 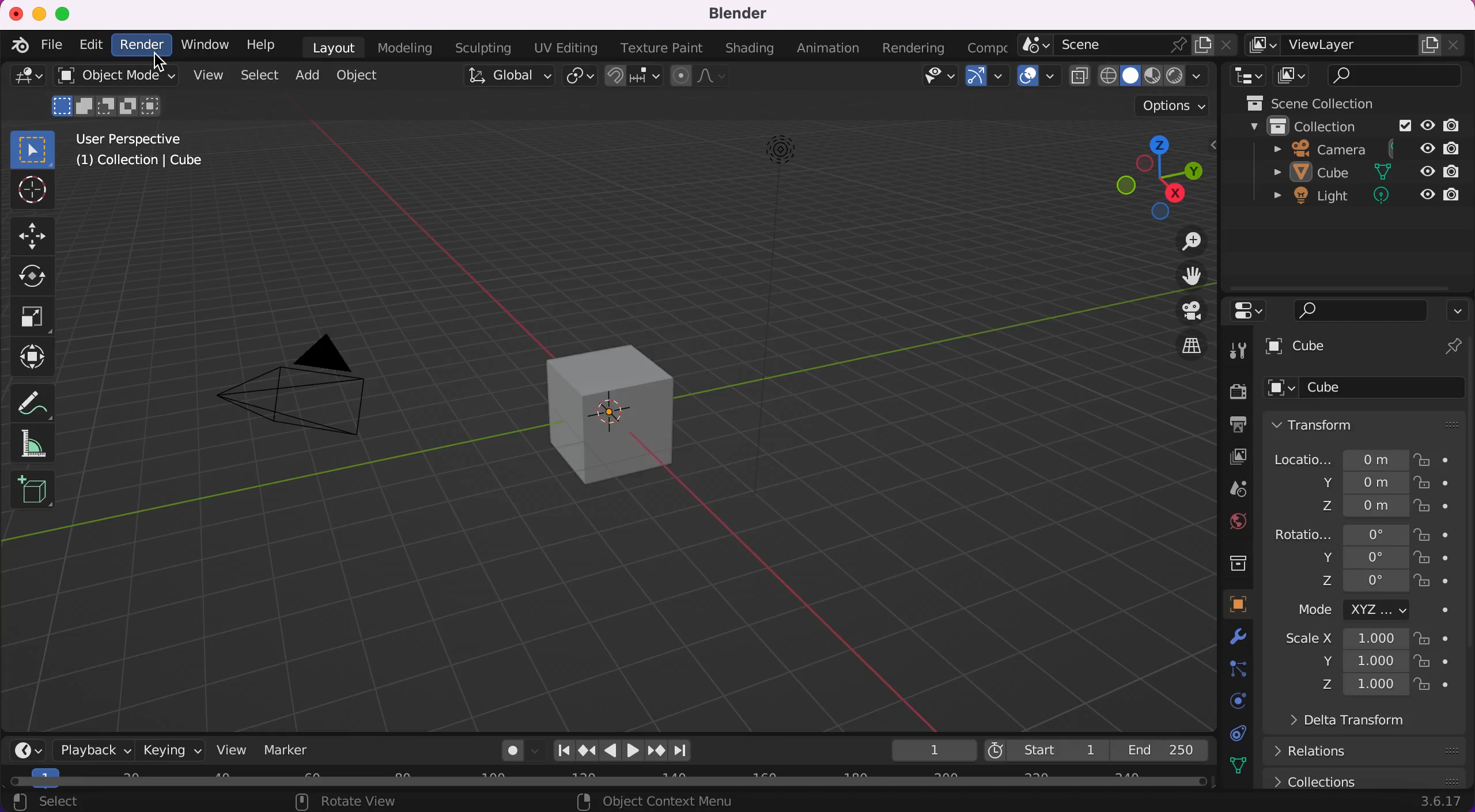 What do you see at coordinates (1335, 458) in the screenshot?
I see `locatio... 0m` at bounding box center [1335, 458].